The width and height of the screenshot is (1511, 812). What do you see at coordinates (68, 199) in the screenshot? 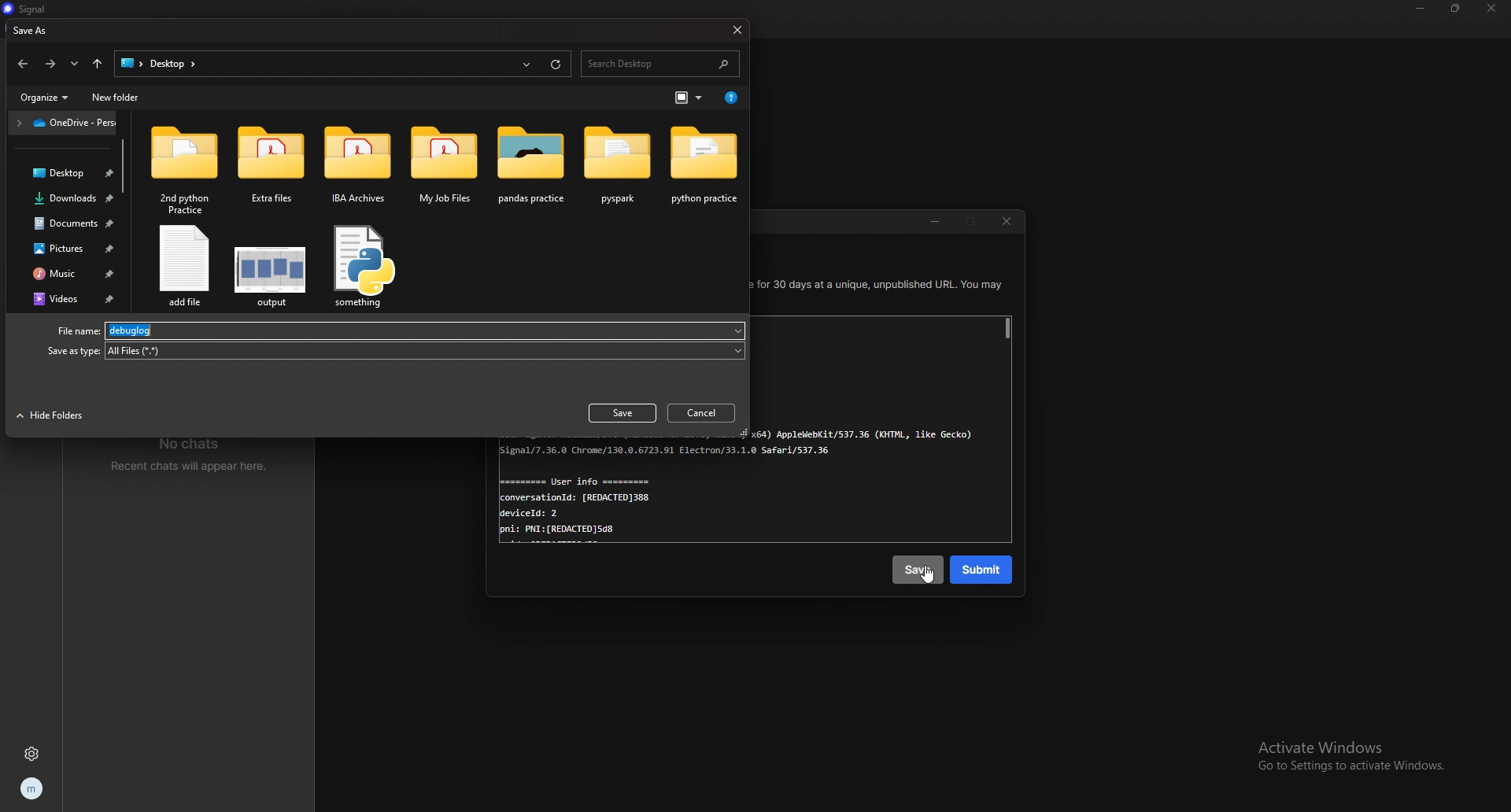
I see `downloads` at bounding box center [68, 199].